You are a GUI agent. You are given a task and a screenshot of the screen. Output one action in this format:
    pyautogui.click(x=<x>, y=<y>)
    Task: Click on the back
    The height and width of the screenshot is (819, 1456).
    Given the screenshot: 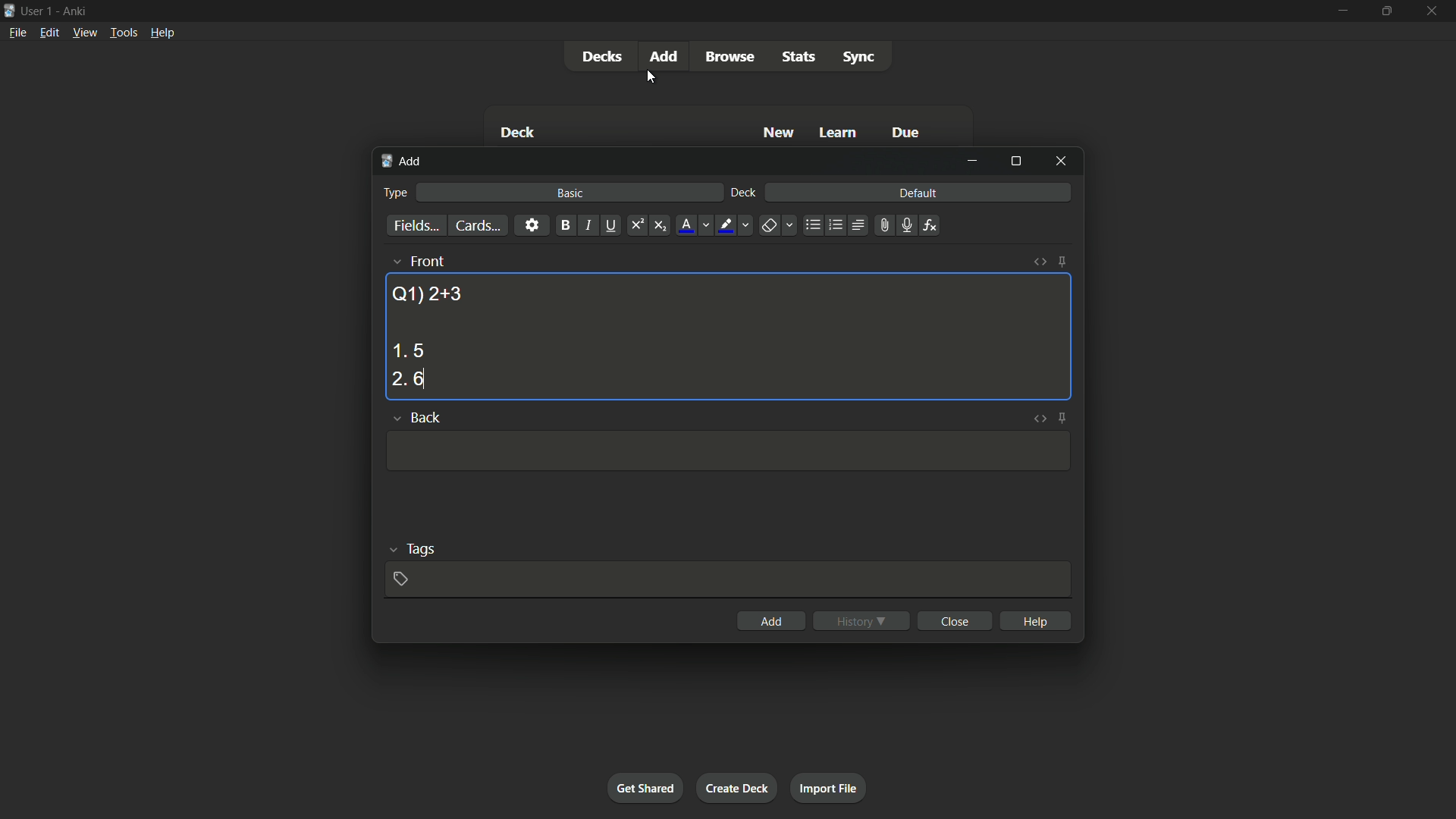 What is the action you would take?
    pyautogui.click(x=425, y=416)
    